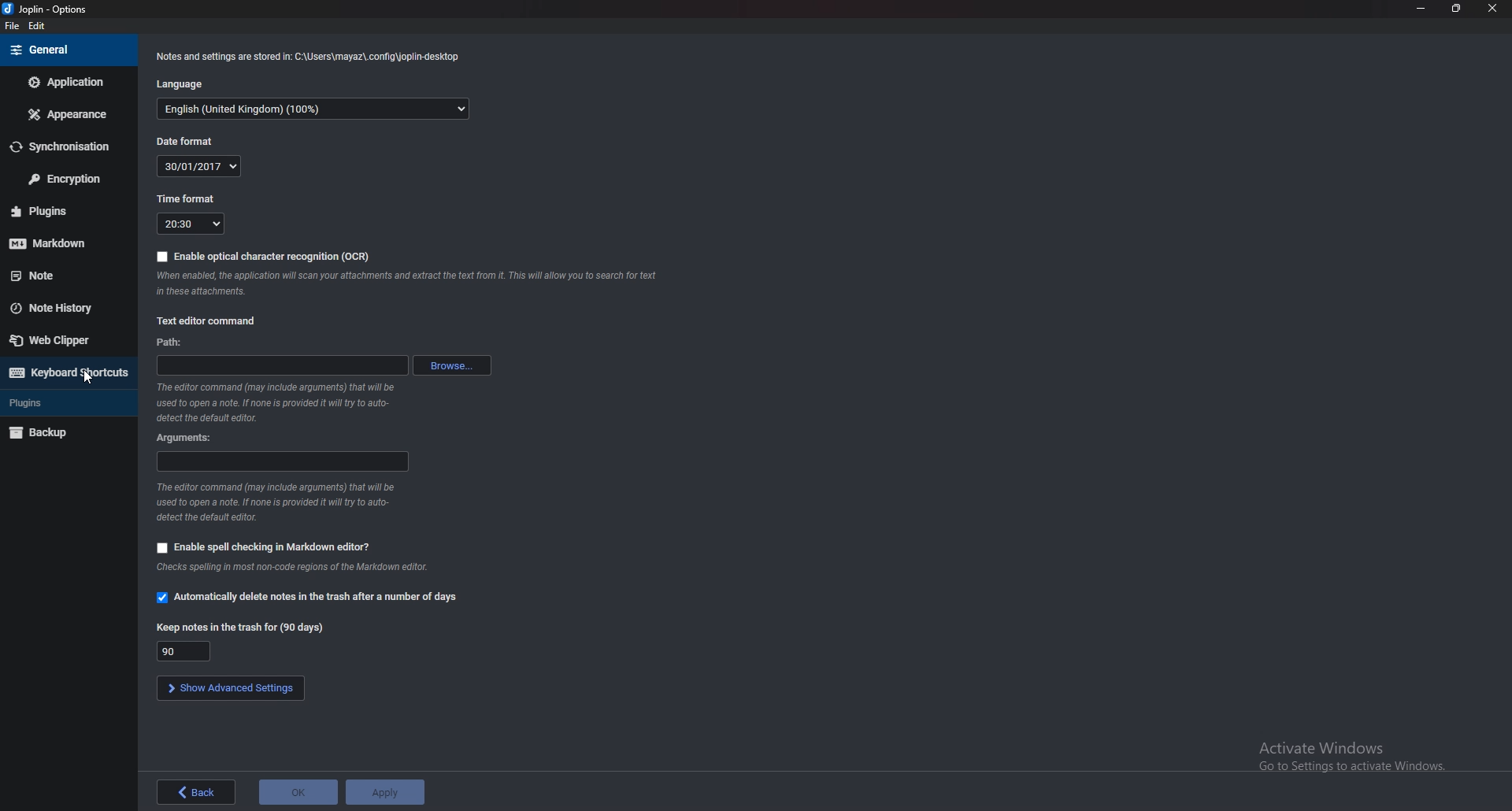  Describe the element at coordinates (195, 791) in the screenshot. I see `back` at that location.